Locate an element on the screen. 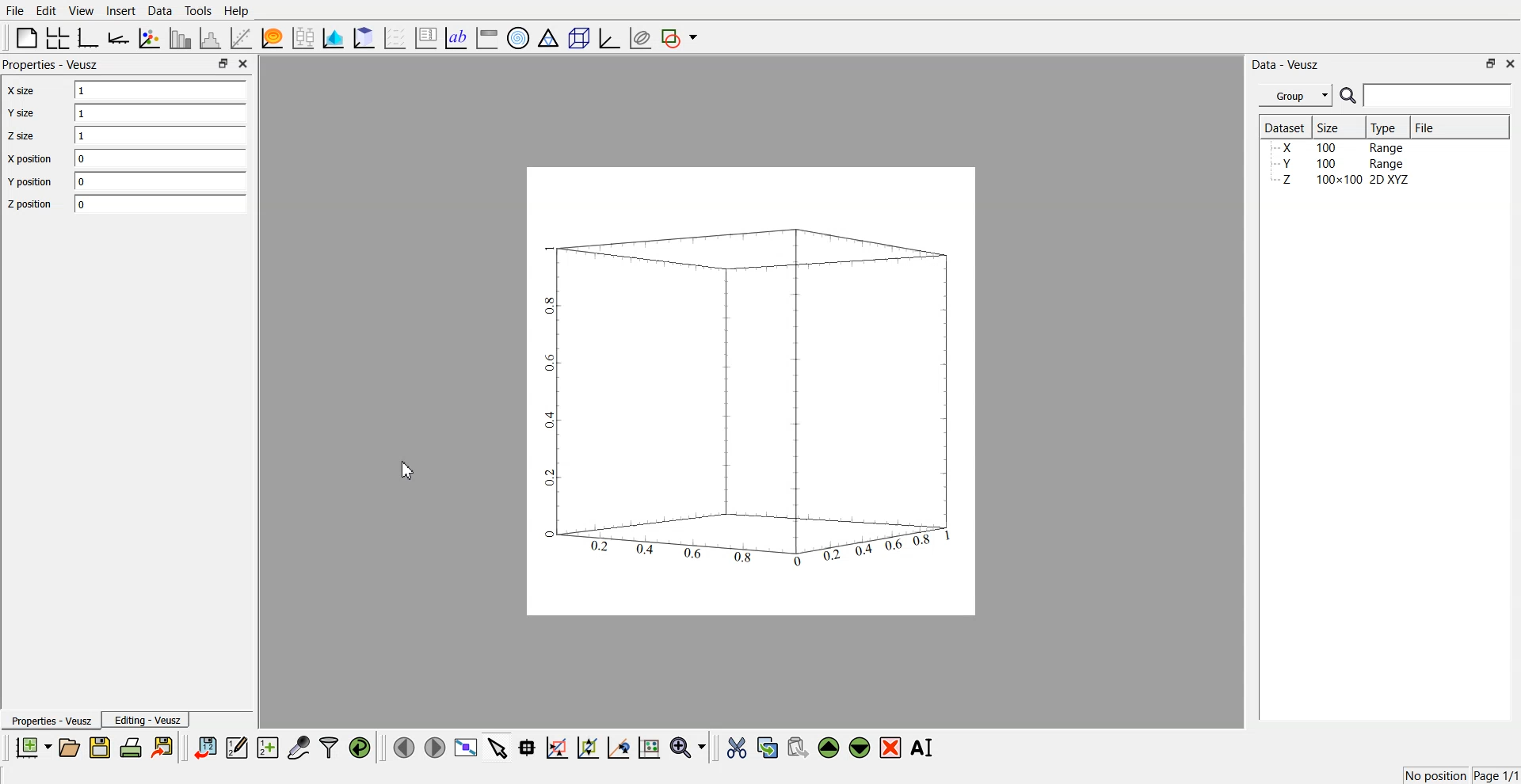 The width and height of the screenshot is (1521, 784). Z 100x100 2D XYZ is located at coordinates (1343, 180).